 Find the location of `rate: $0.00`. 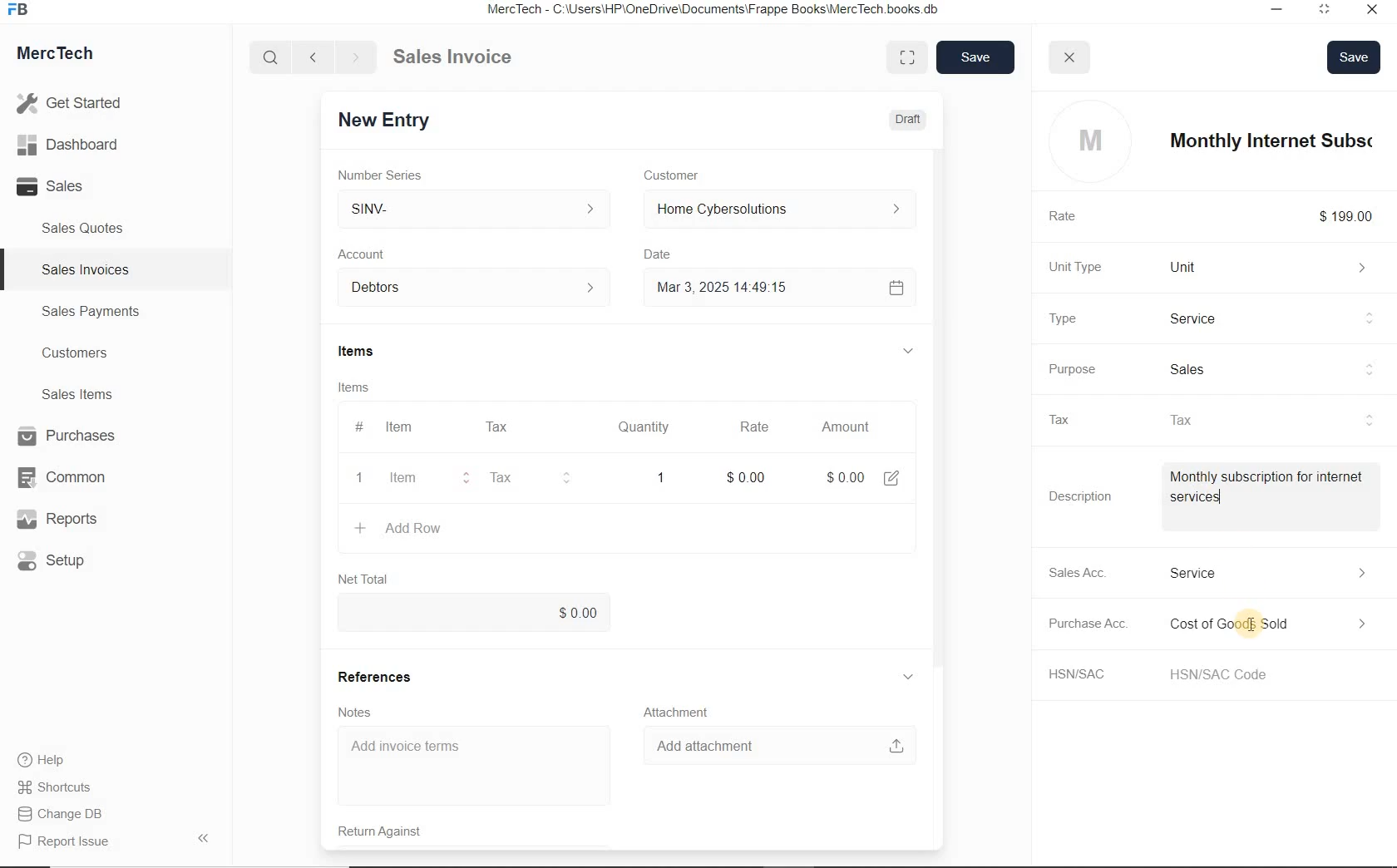

rate: $0.00 is located at coordinates (745, 476).